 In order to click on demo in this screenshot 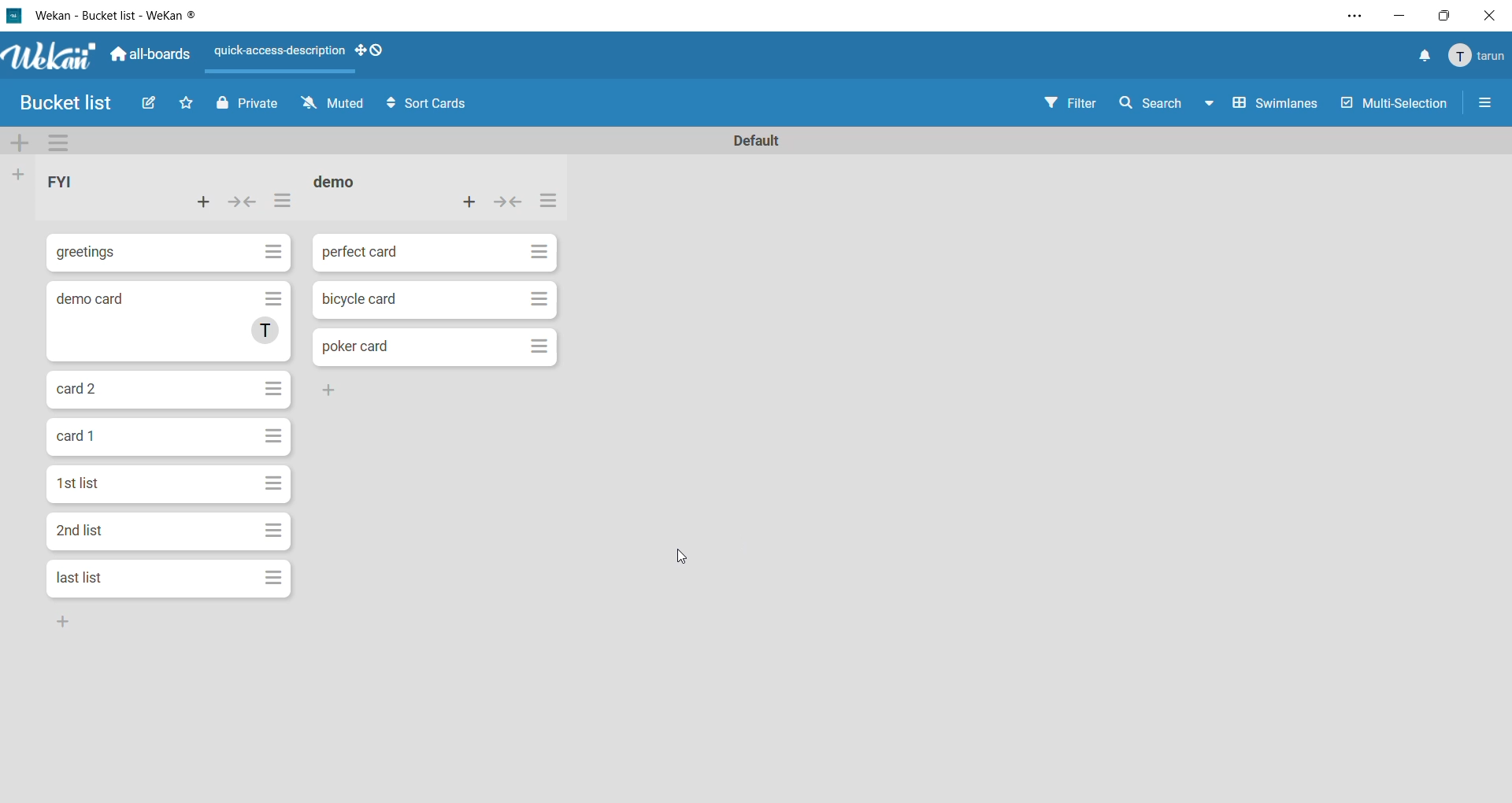, I will do `click(355, 180)`.